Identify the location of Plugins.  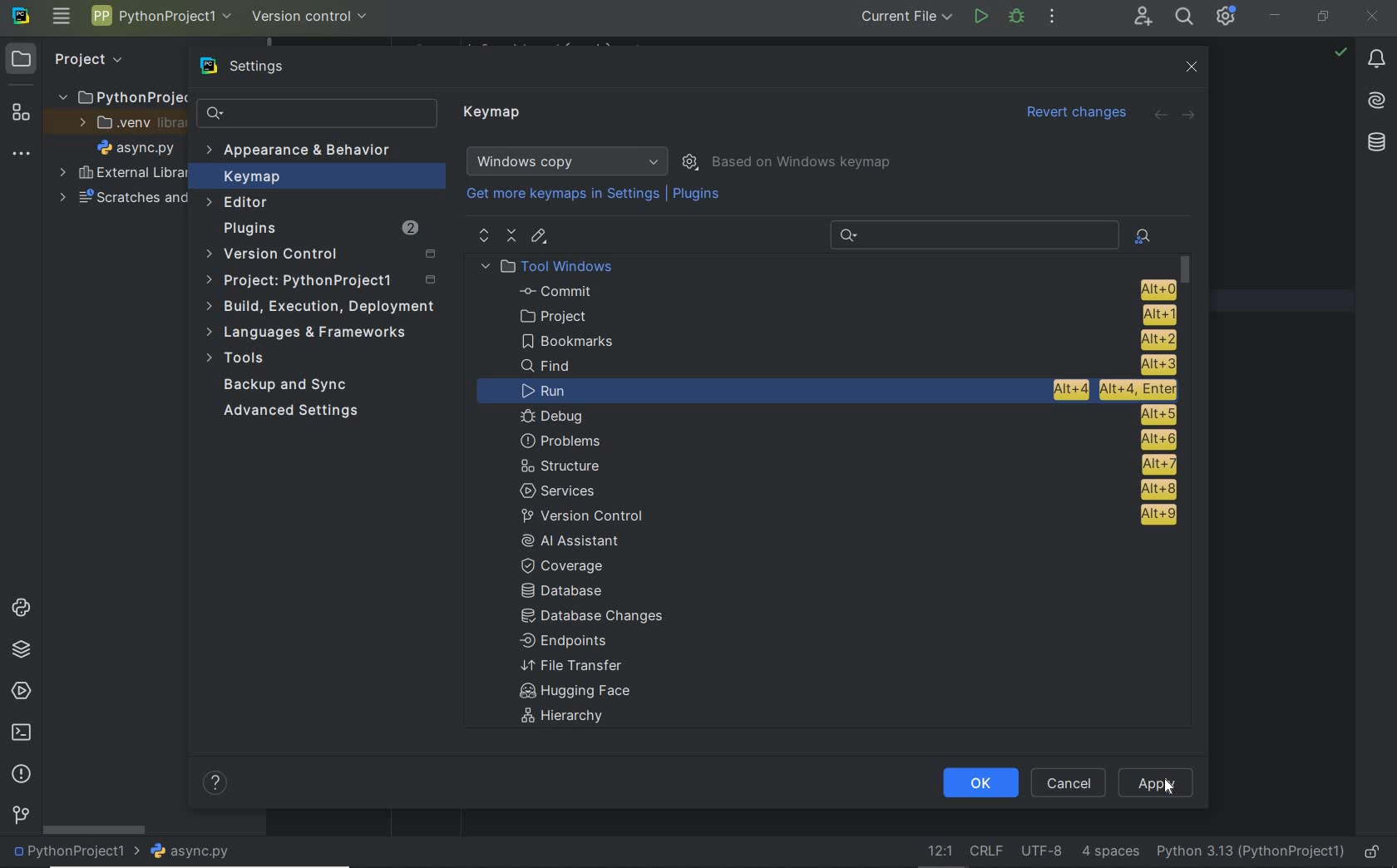
(698, 195).